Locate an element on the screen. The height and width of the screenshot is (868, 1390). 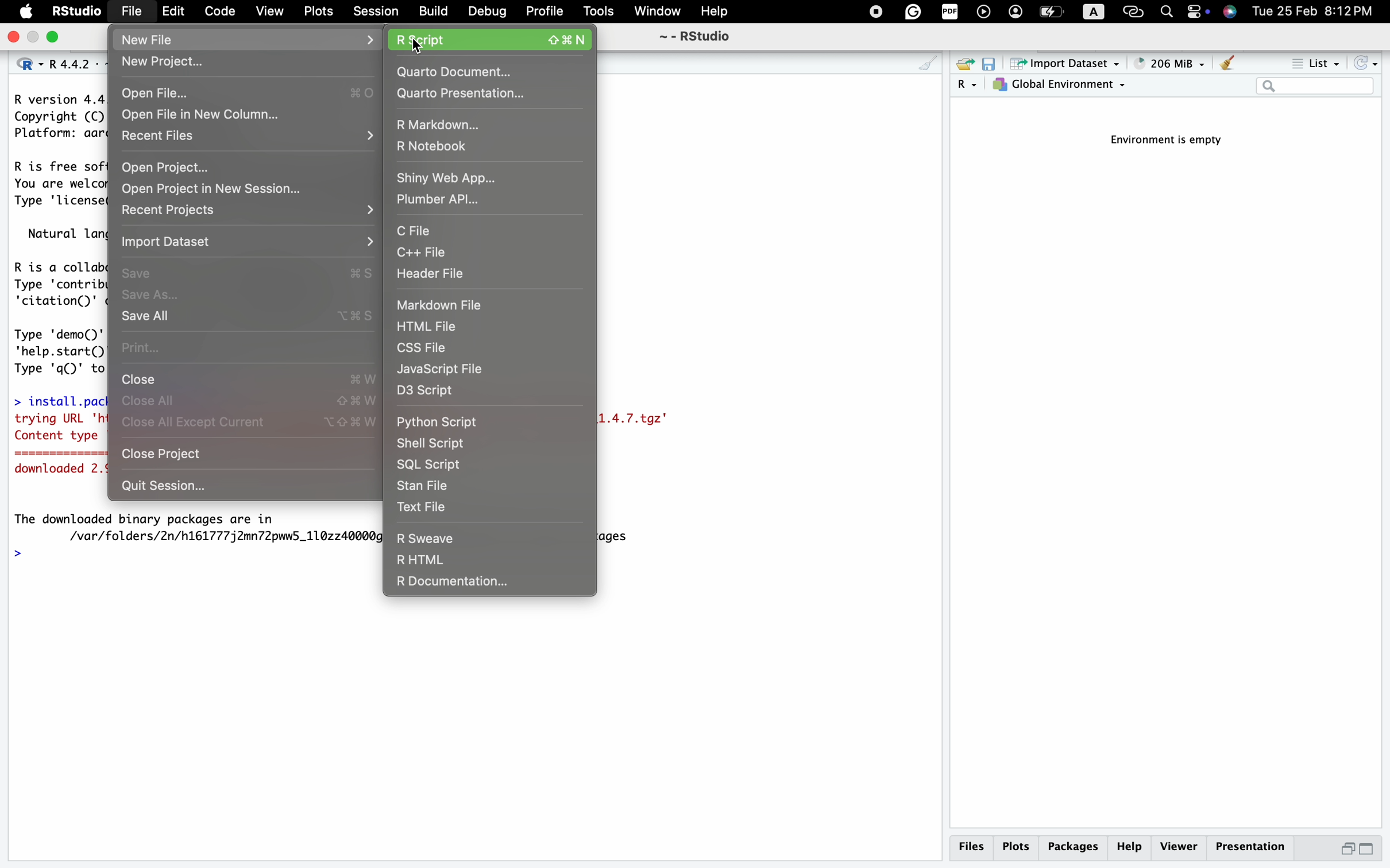
search field is located at coordinates (1315, 87).